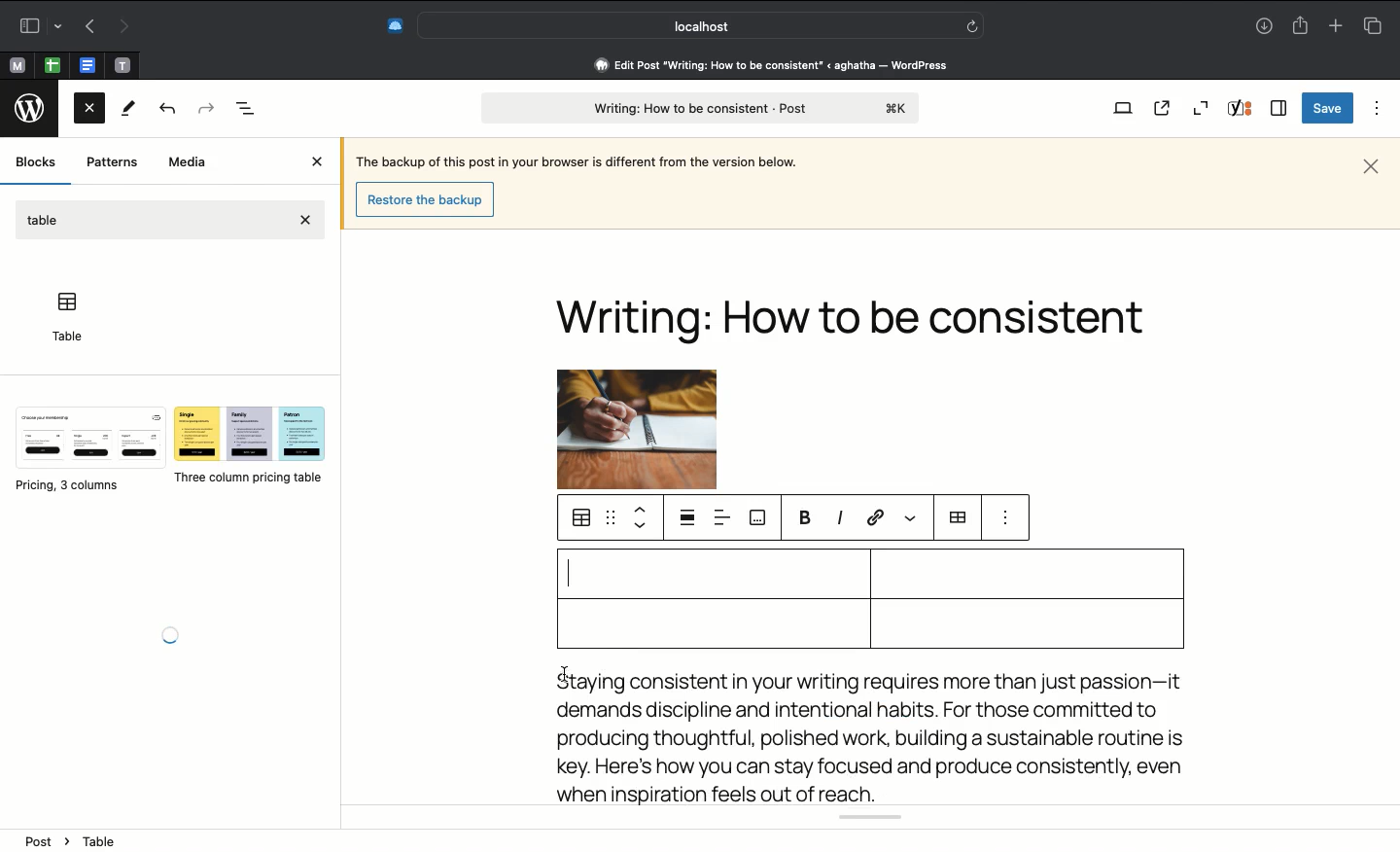 Image resolution: width=1400 pixels, height=852 pixels. I want to click on Extensions, so click(384, 27).